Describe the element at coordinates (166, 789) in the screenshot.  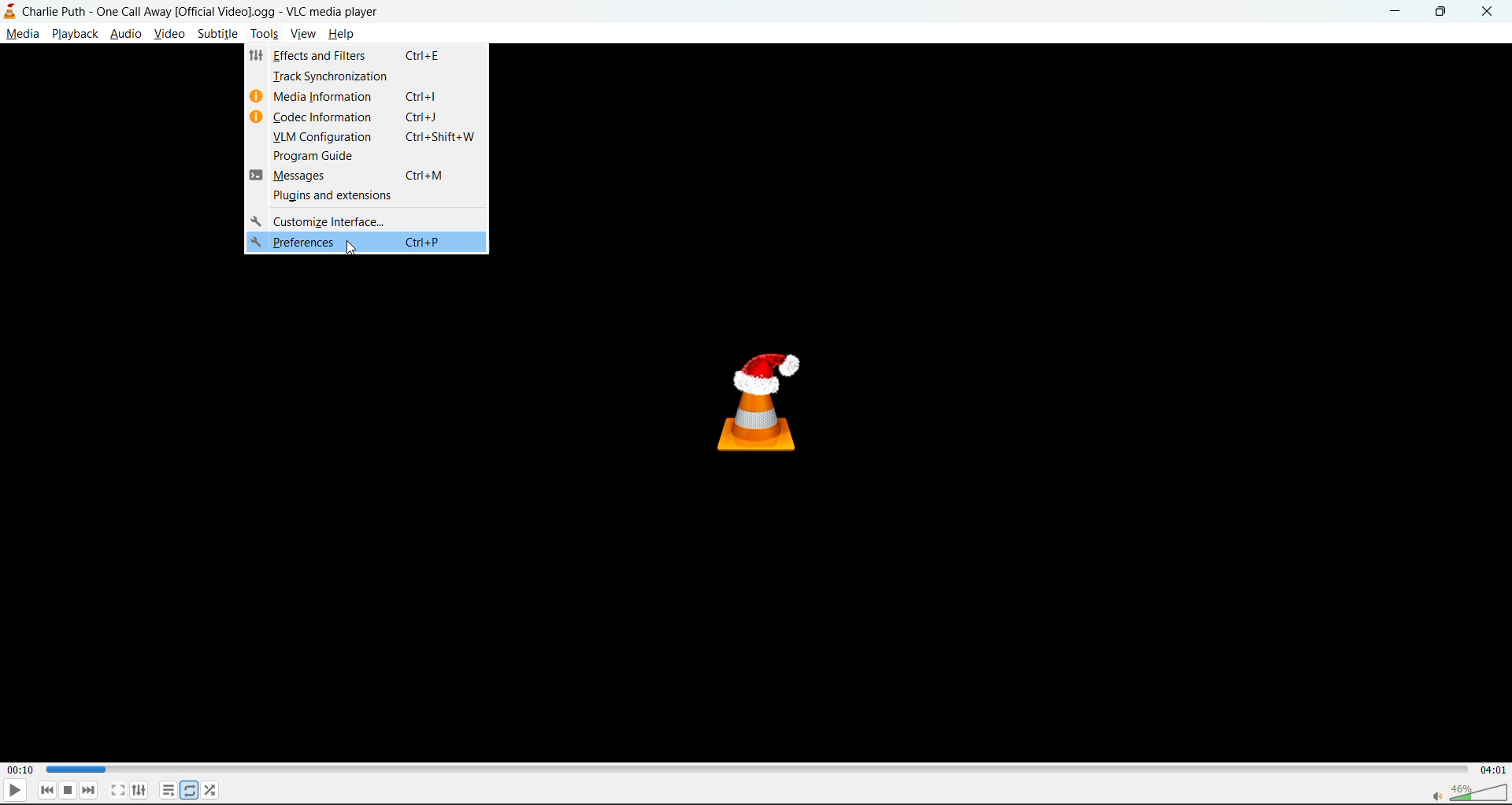
I see `playlist` at that location.